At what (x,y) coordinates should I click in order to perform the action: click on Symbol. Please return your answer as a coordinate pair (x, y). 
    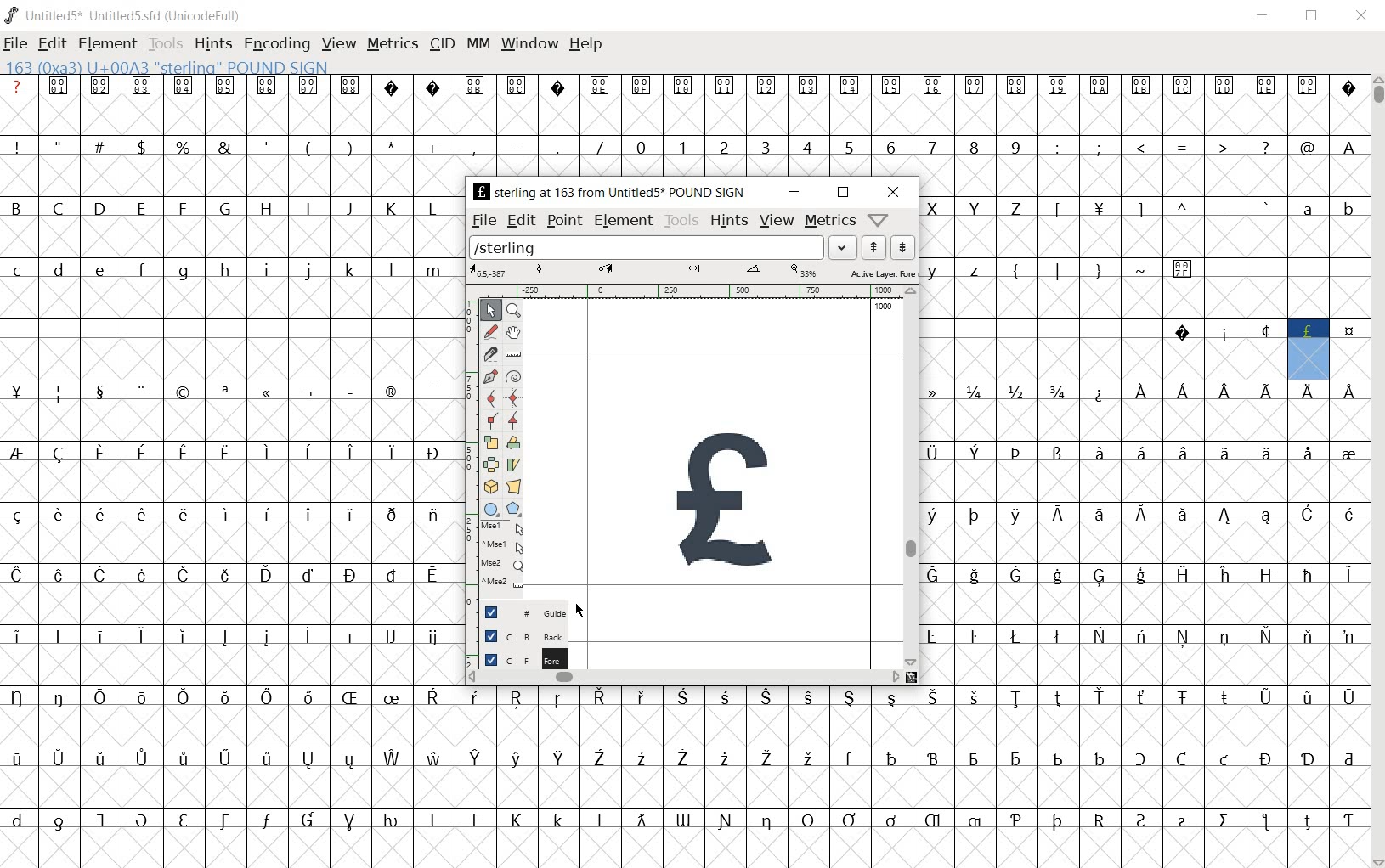
    Looking at the image, I should click on (810, 87).